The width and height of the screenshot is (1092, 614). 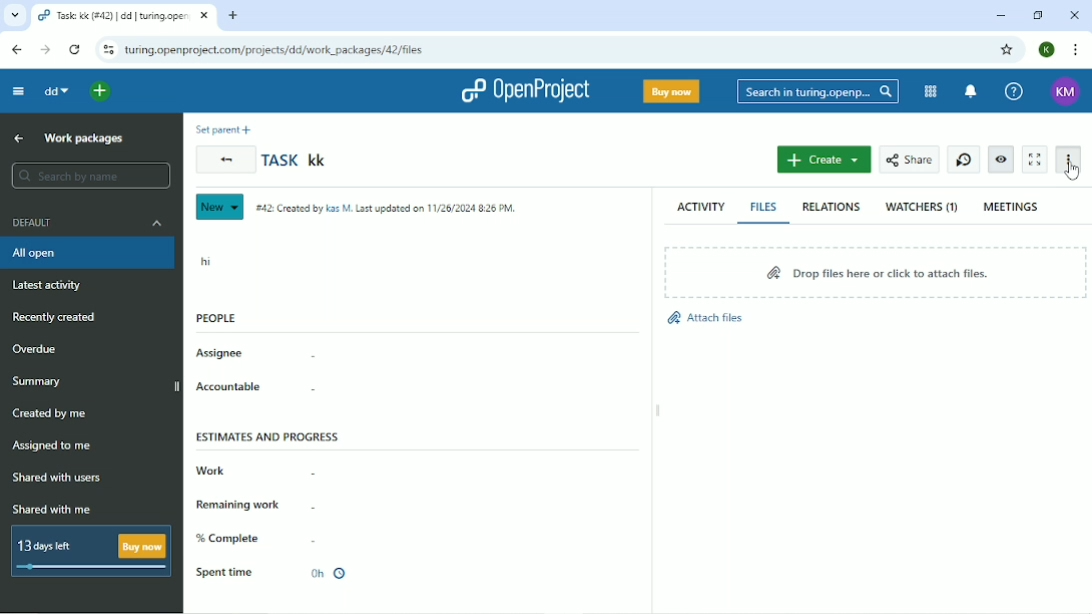 What do you see at coordinates (296, 160) in the screenshot?
I see `Task kk` at bounding box center [296, 160].